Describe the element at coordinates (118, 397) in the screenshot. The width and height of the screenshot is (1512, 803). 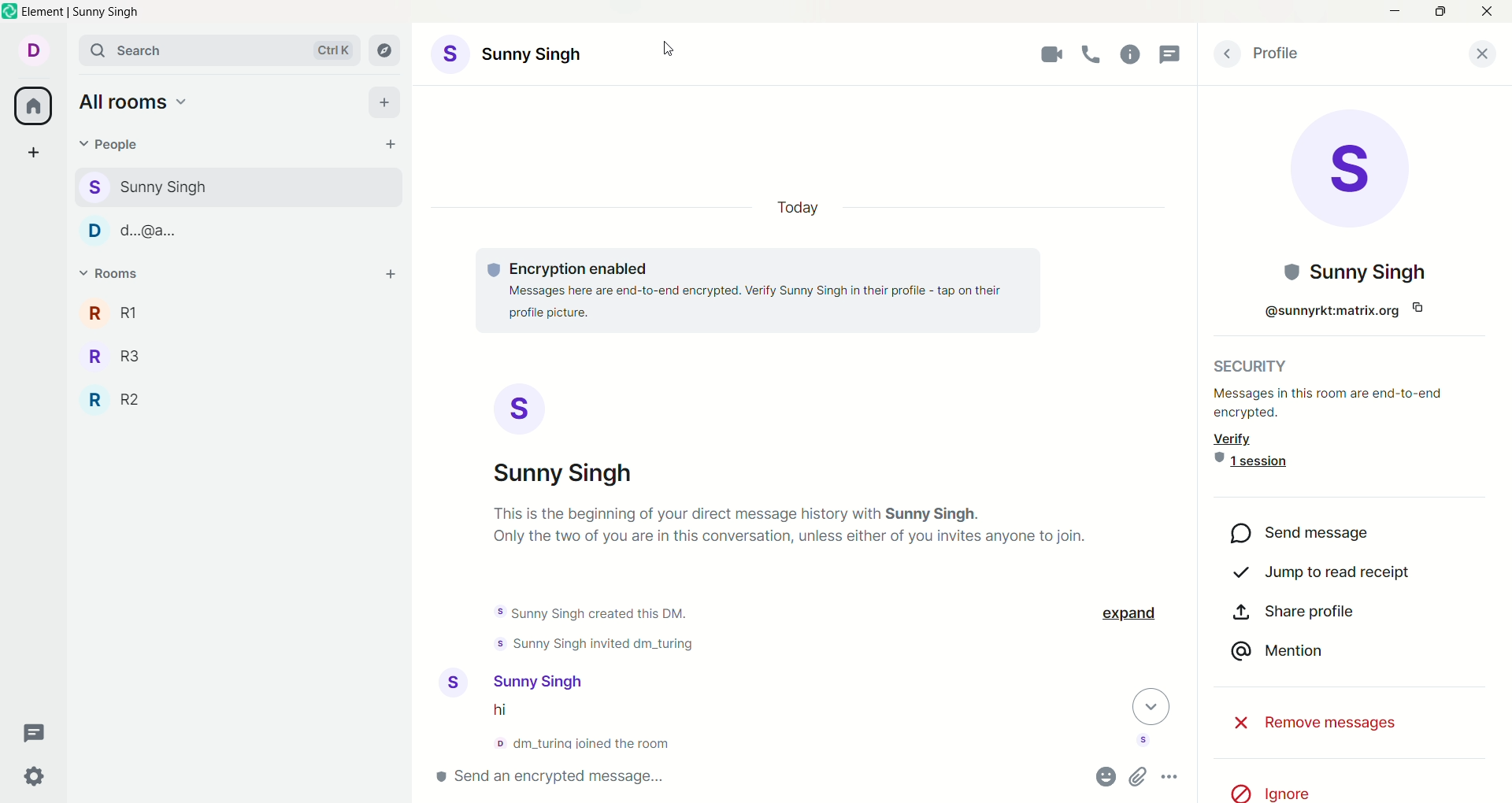
I see `R2` at that location.